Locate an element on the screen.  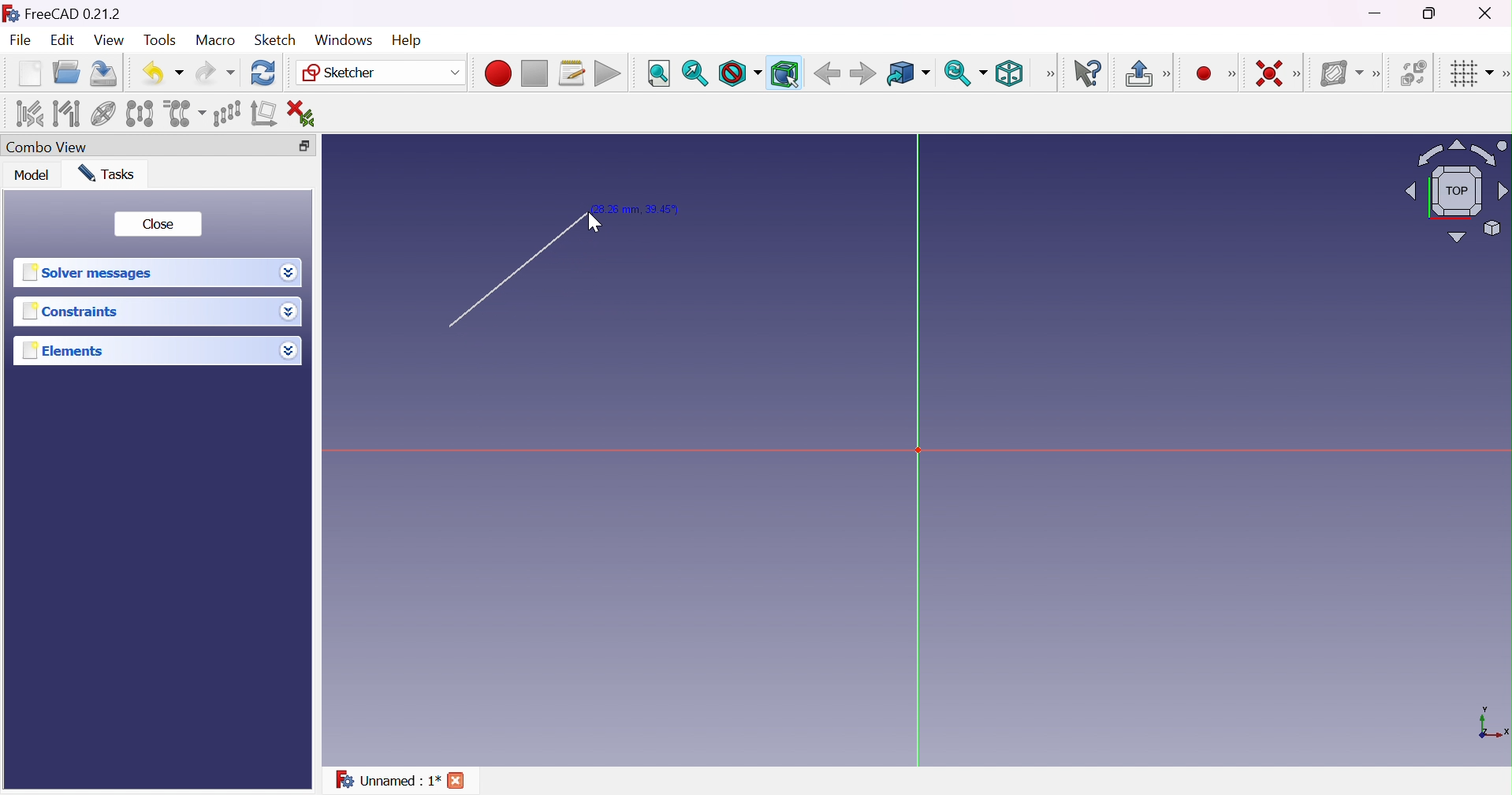
[Sketcher edit tools] is located at coordinates (1503, 77).